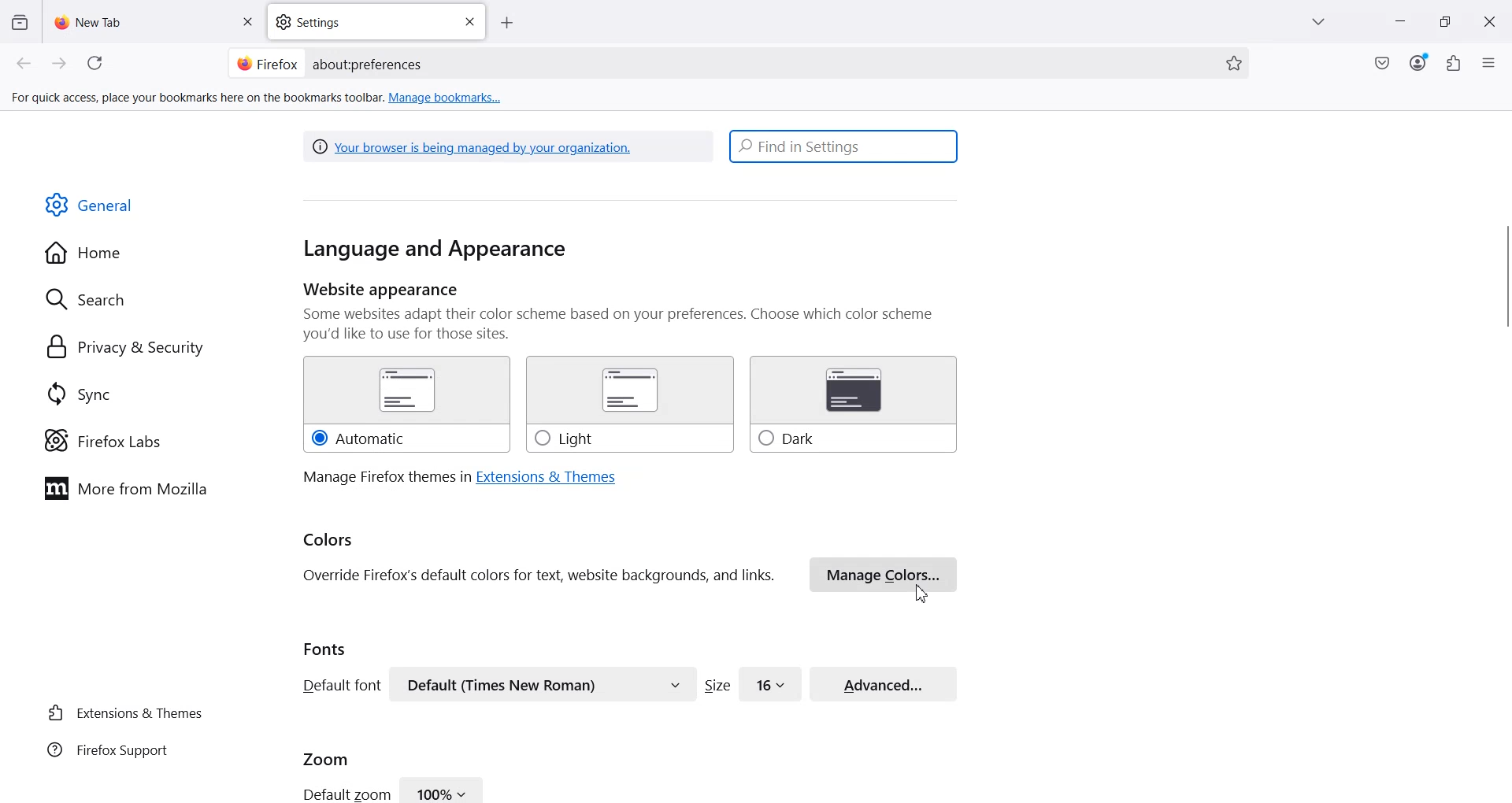 This screenshot has width=1512, height=803. What do you see at coordinates (469, 22) in the screenshot?
I see `Close` at bounding box center [469, 22].